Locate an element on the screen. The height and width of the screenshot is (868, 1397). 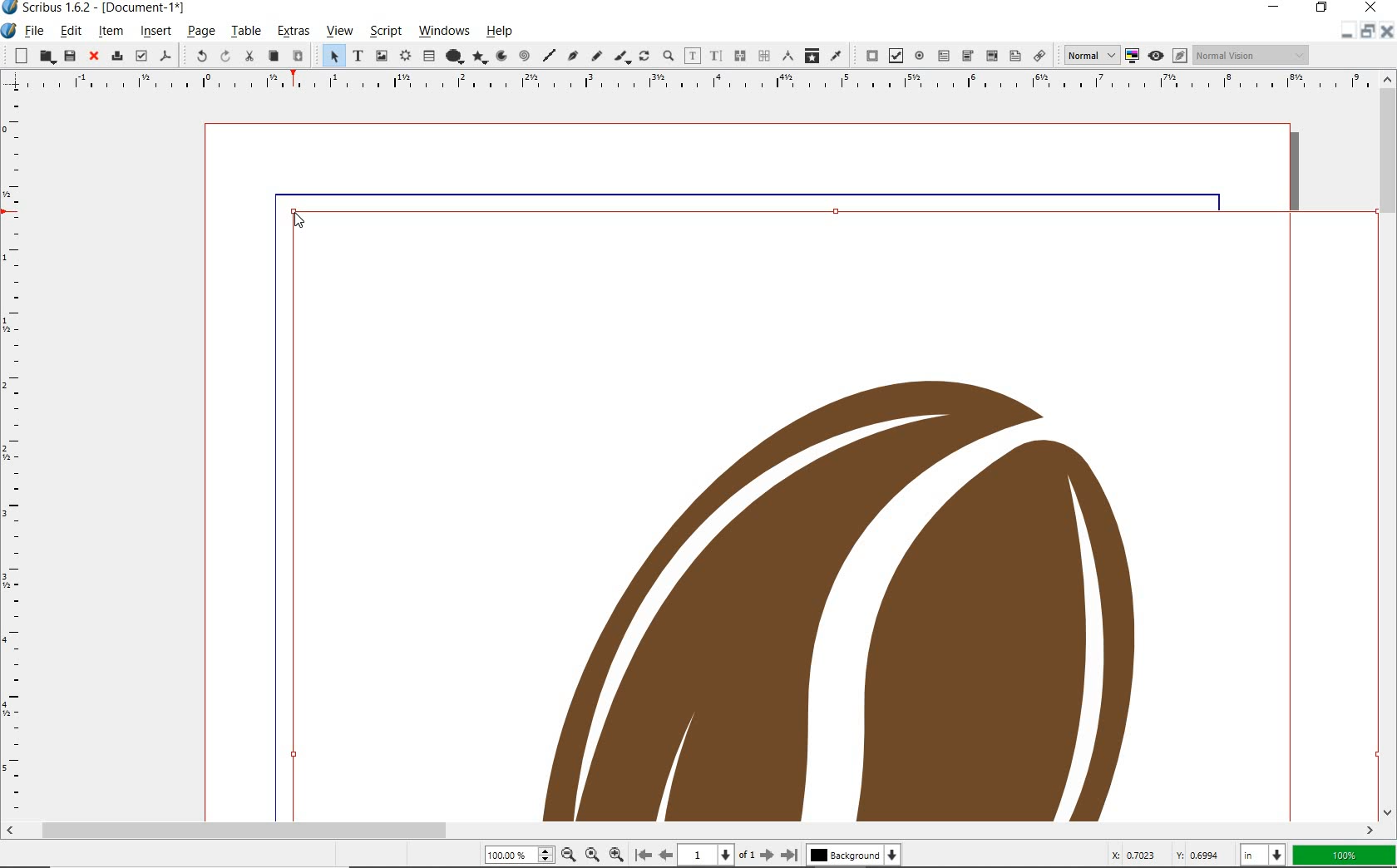
rotate item is located at coordinates (644, 55).